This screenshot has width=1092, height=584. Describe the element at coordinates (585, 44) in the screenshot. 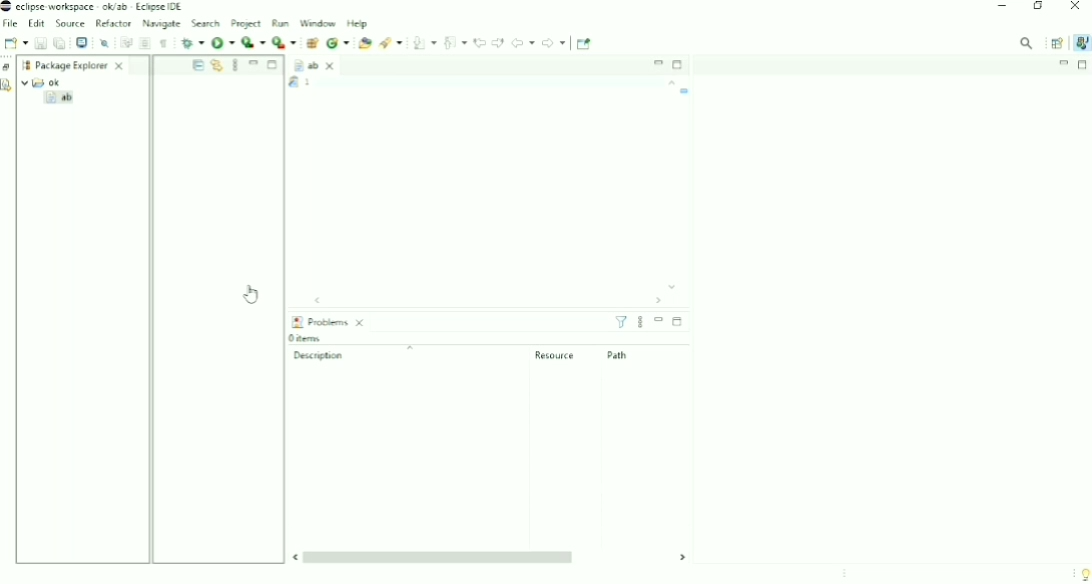

I see `Pin Editor` at that location.